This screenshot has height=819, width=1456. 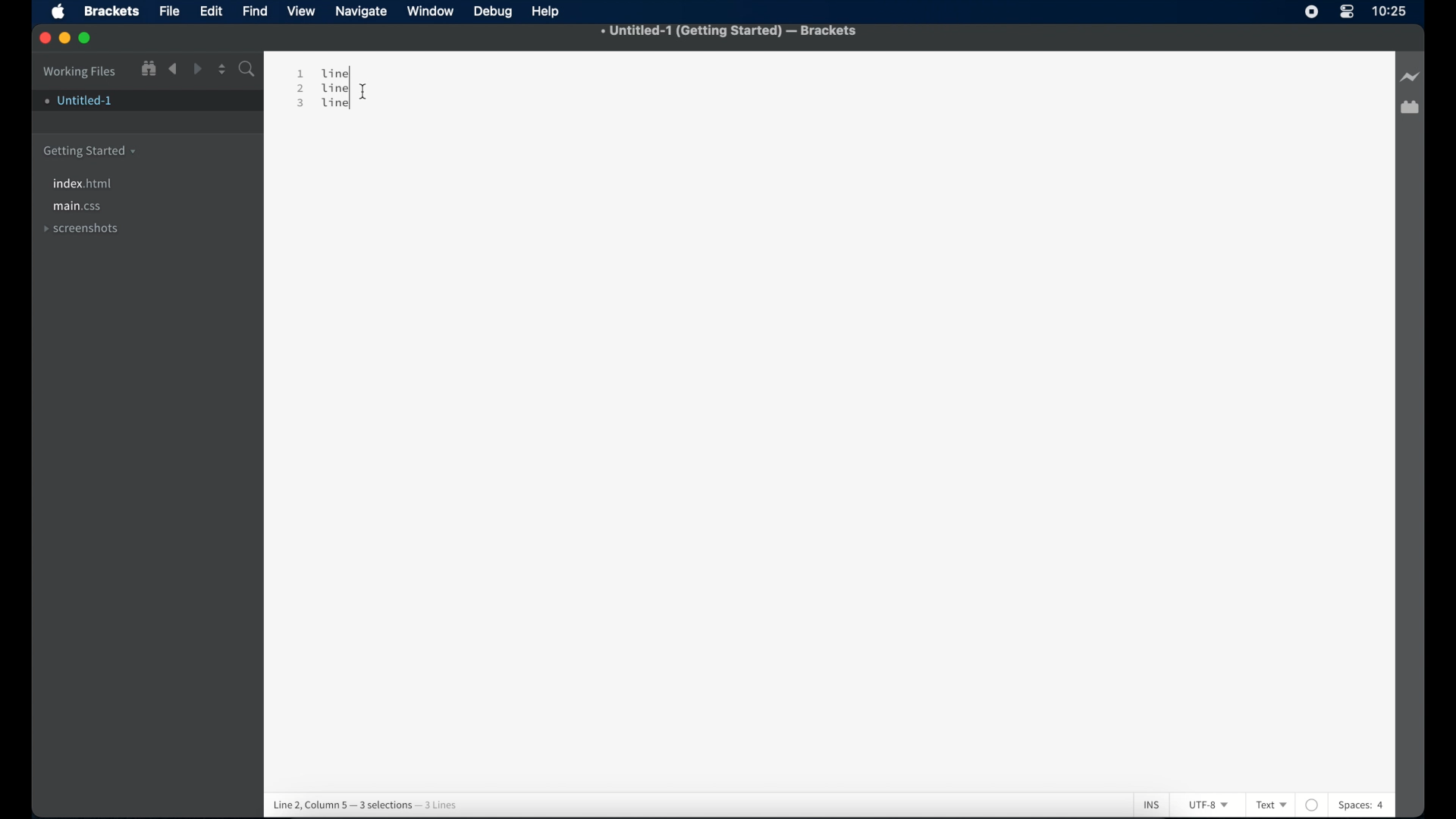 What do you see at coordinates (256, 11) in the screenshot?
I see `find` at bounding box center [256, 11].